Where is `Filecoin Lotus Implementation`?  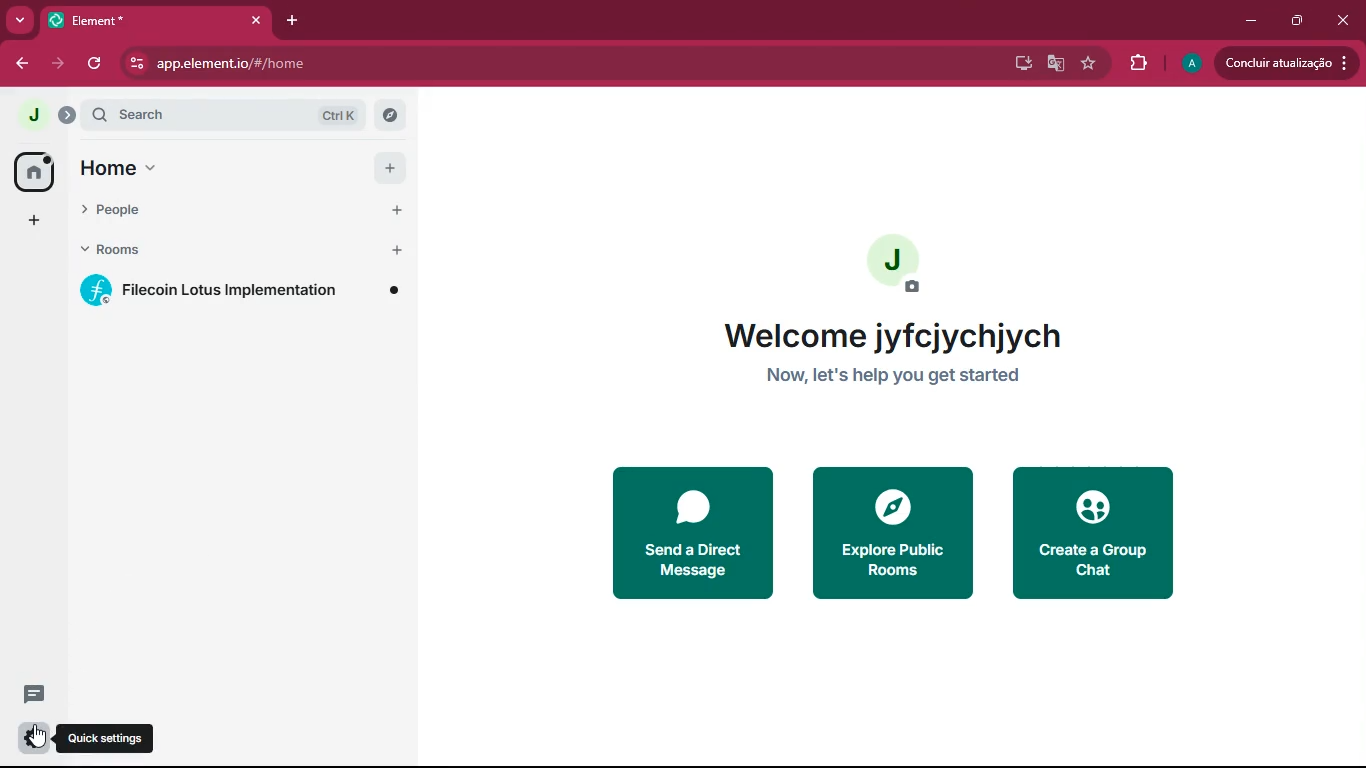 Filecoin Lotus Implementation is located at coordinates (248, 292).